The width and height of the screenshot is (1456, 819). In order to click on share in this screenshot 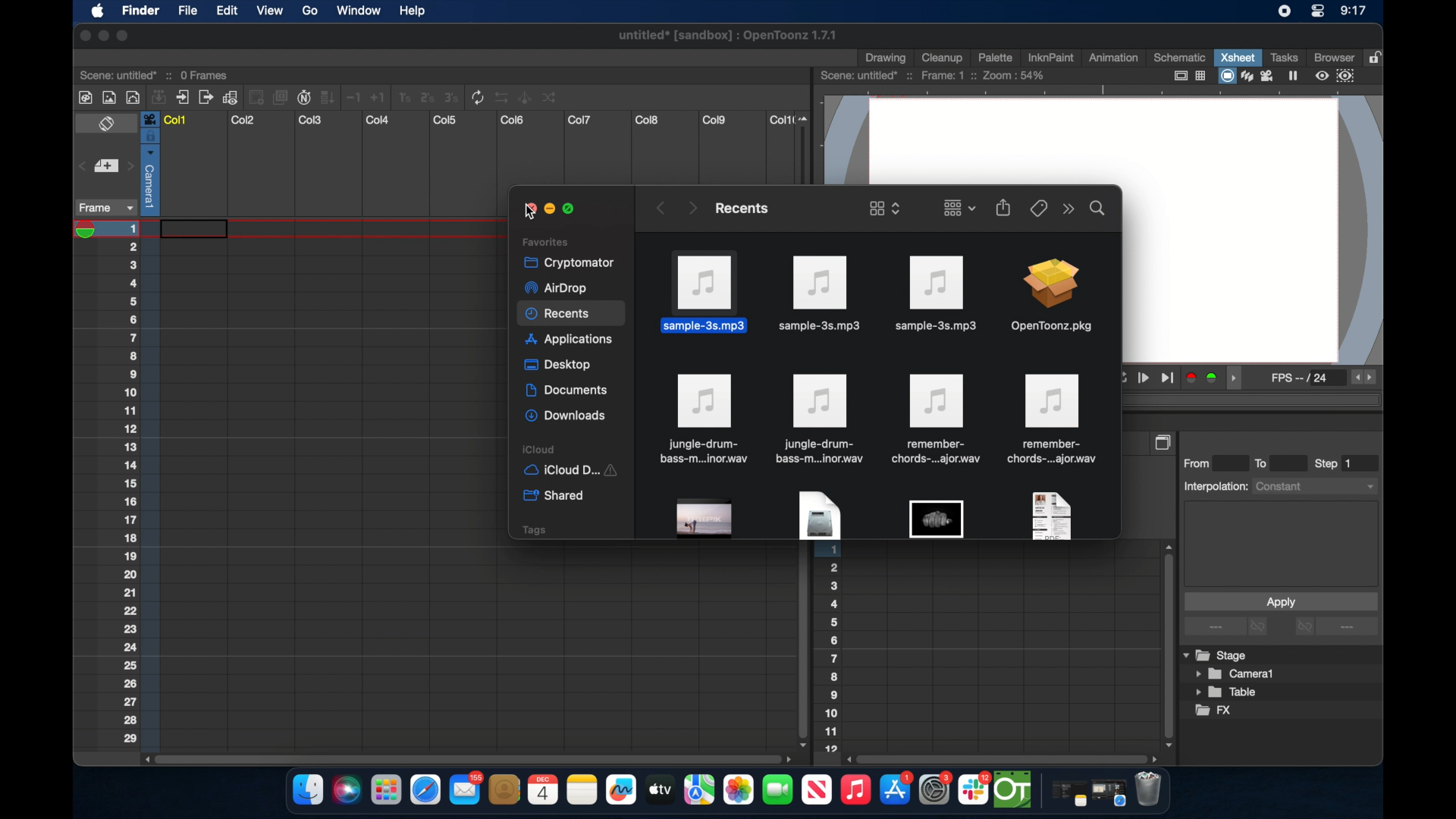, I will do `click(1004, 207)`.